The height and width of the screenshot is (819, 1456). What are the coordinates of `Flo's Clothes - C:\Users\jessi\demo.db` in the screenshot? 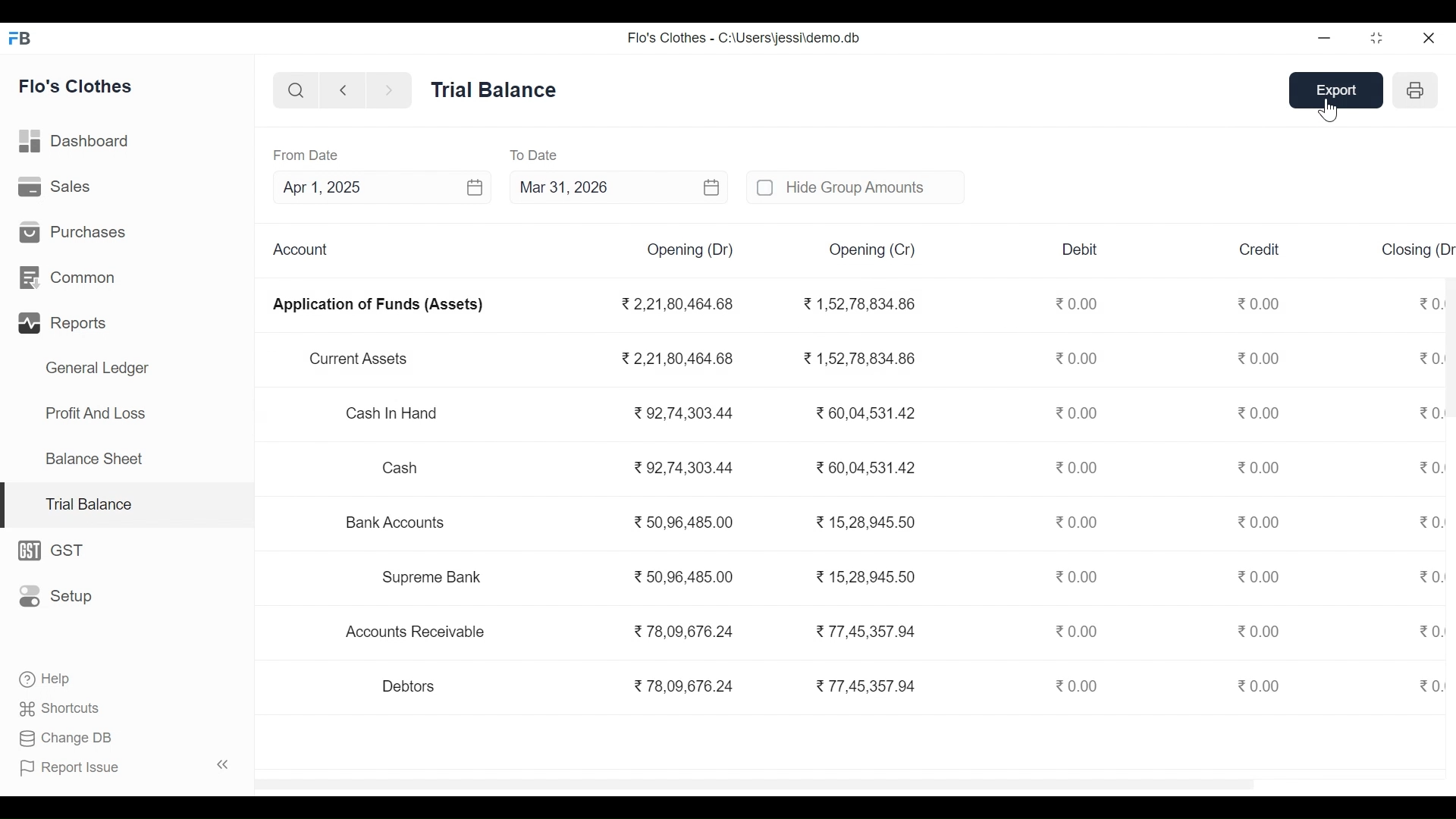 It's located at (744, 39).